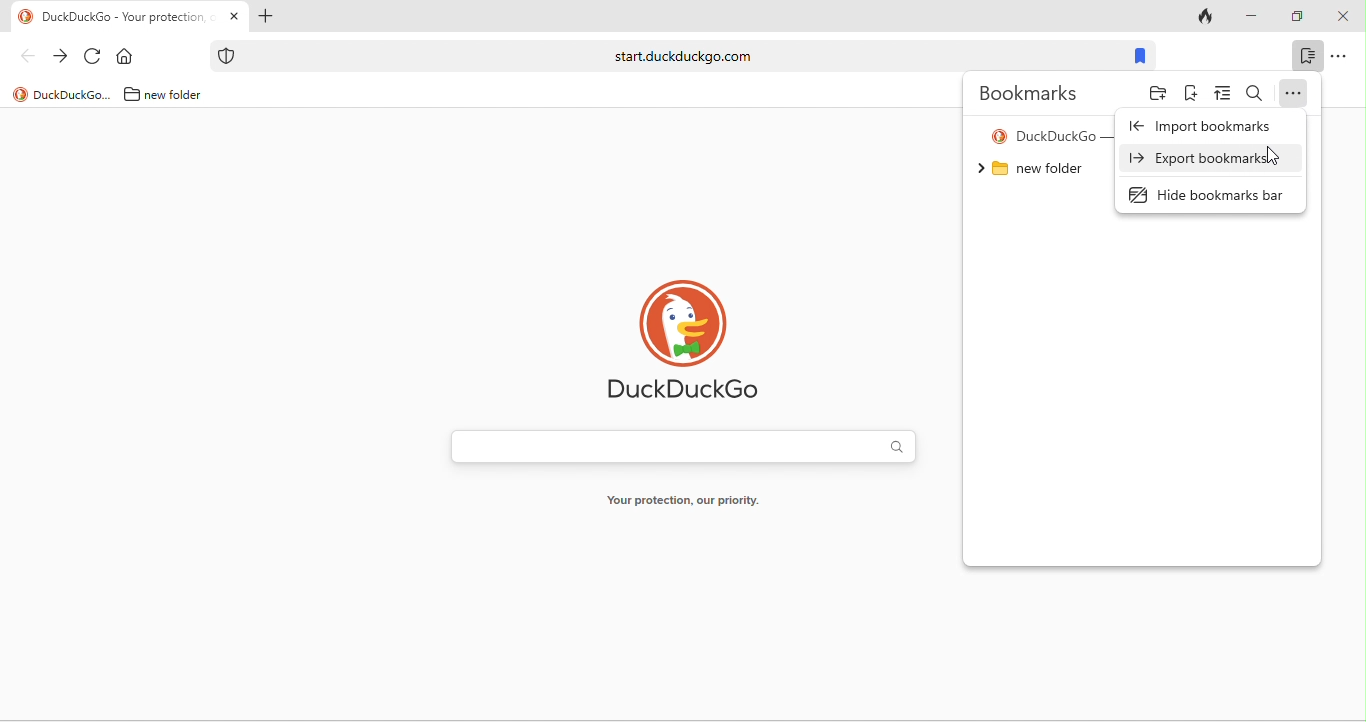  What do you see at coordinates (61, 94) in the screenshot?
I see `duckduckgo ` at bounding box center [61, 94].